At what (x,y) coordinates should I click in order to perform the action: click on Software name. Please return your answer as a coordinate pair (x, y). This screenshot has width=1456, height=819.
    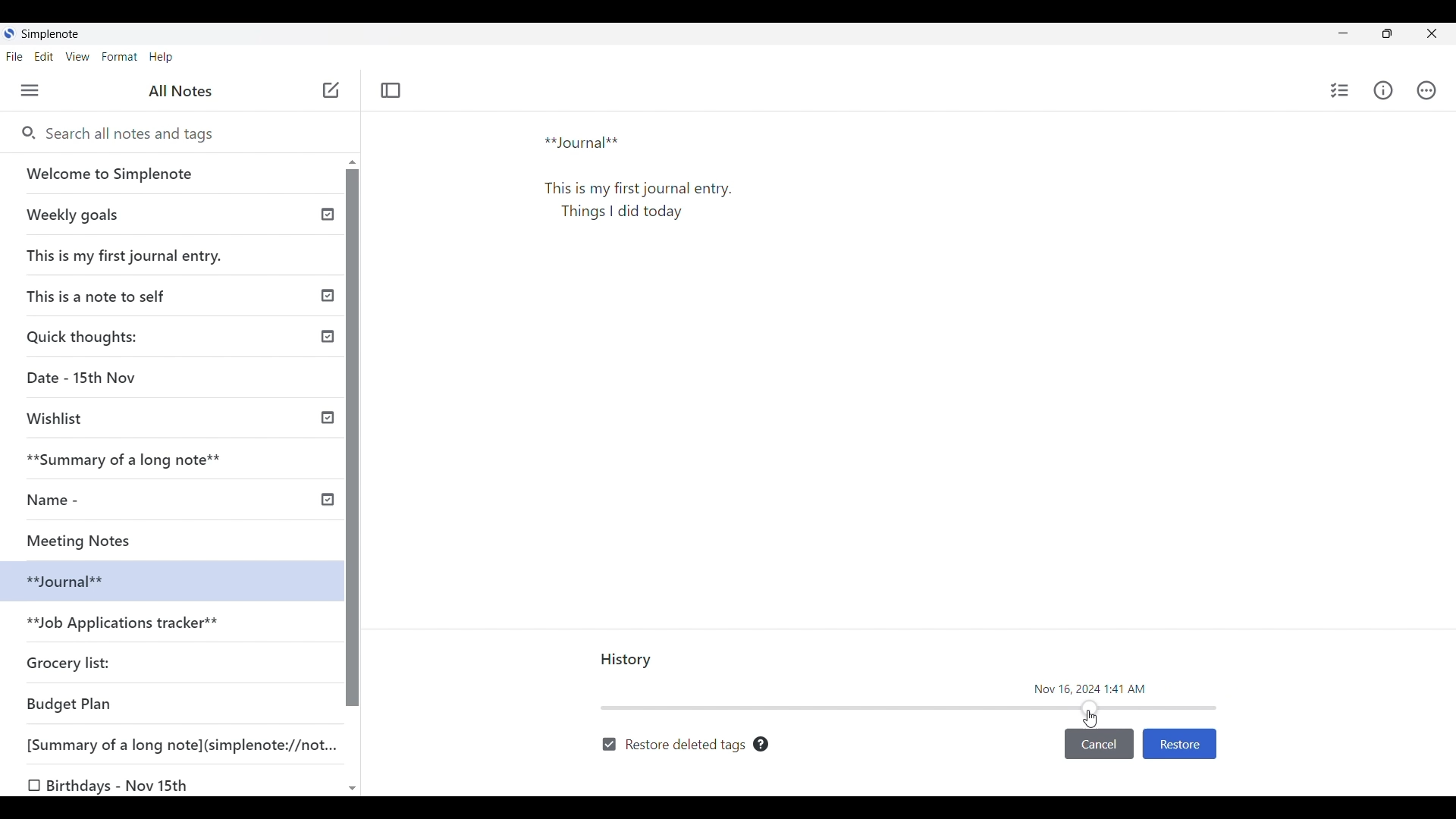
    Looking at the image, I should click on (52, 34).